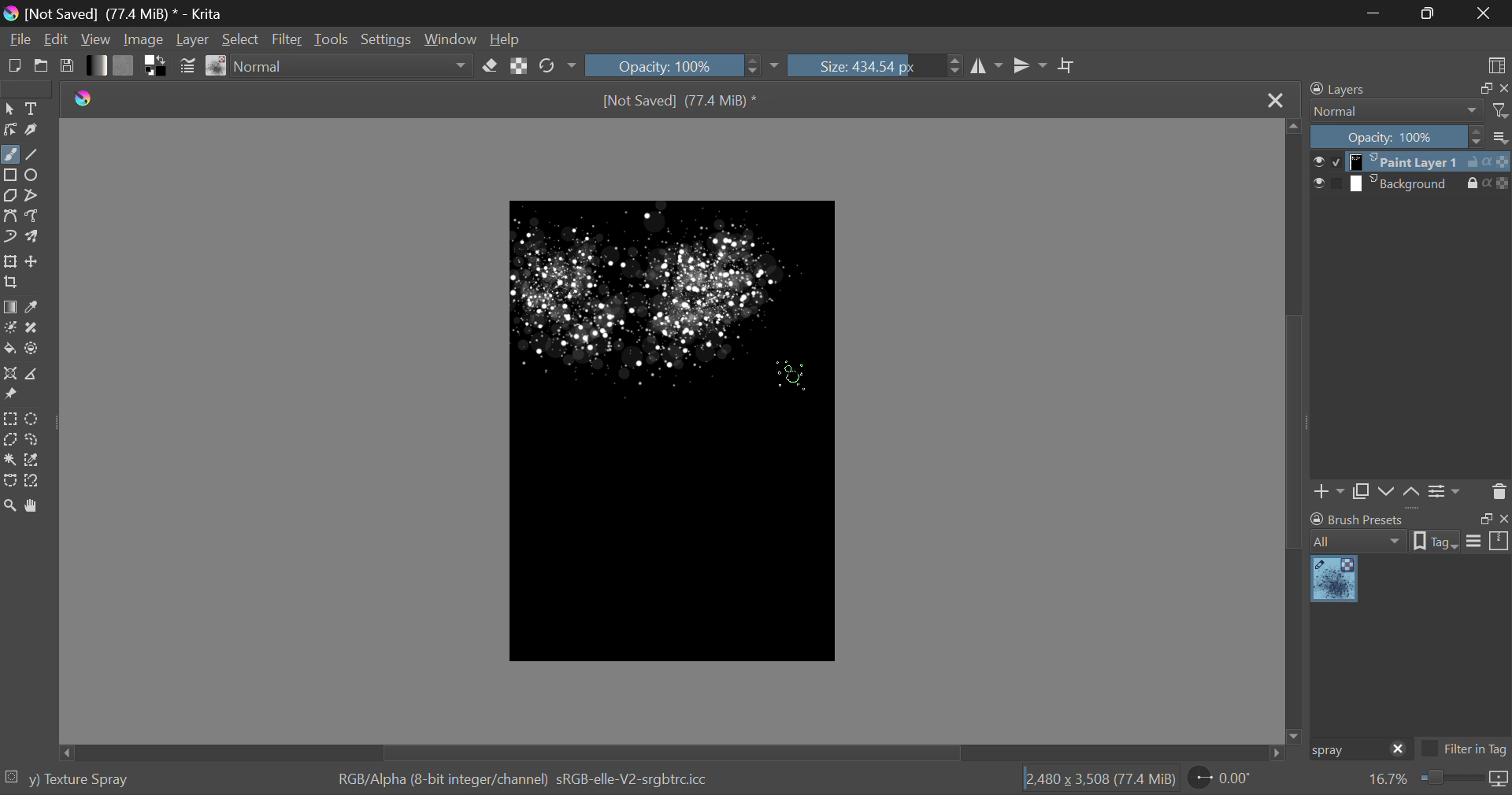 This screenshot has height=795, width=1512. What do you see at coordinates (984, 66) in the screenshot?
I see `Vertical Mirror Flip` at bounding box center [984, 66].